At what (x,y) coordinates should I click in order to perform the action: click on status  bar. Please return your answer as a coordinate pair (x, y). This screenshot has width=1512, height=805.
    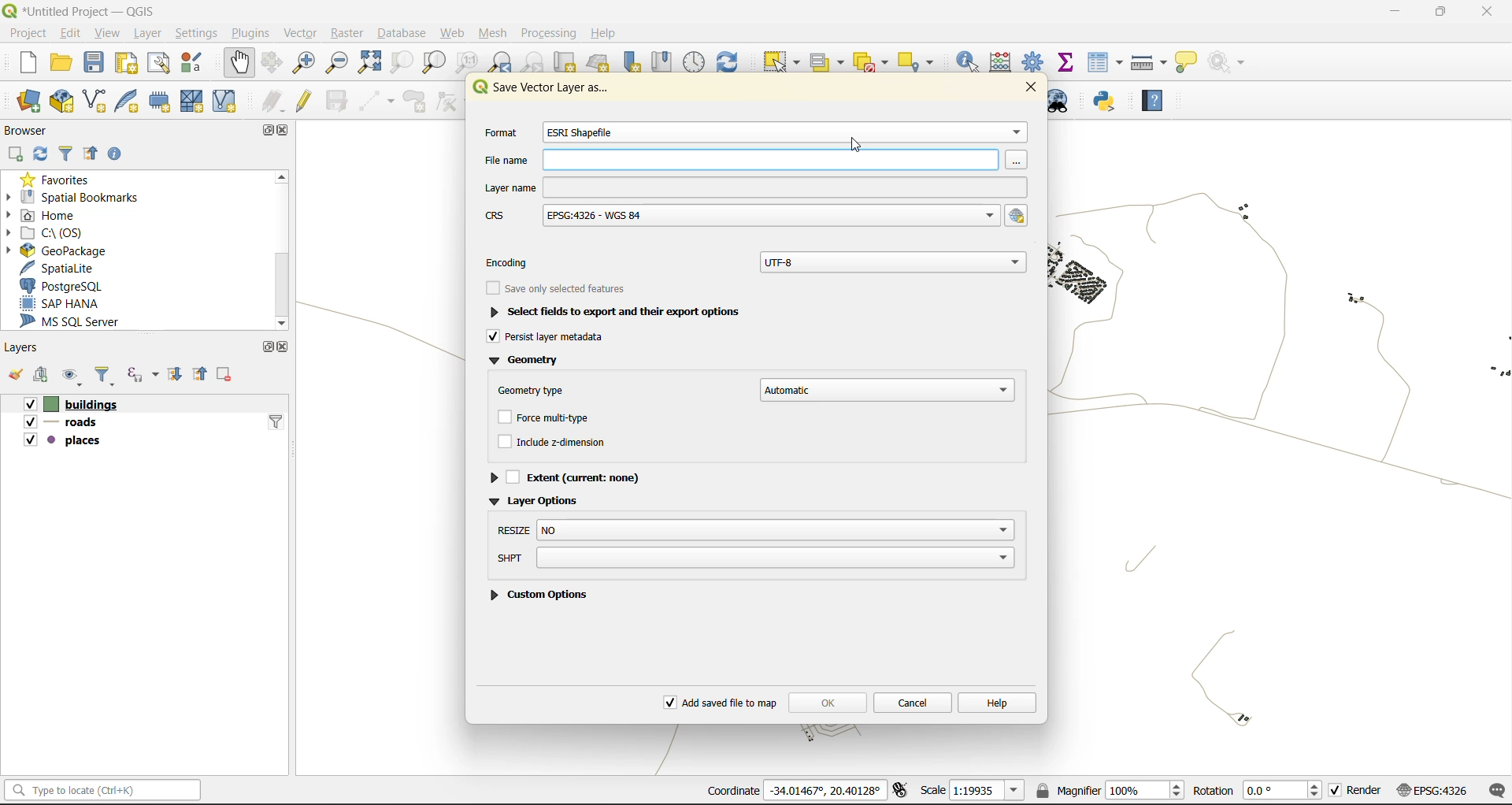
    Looking at the image, I should click on (106, 791).